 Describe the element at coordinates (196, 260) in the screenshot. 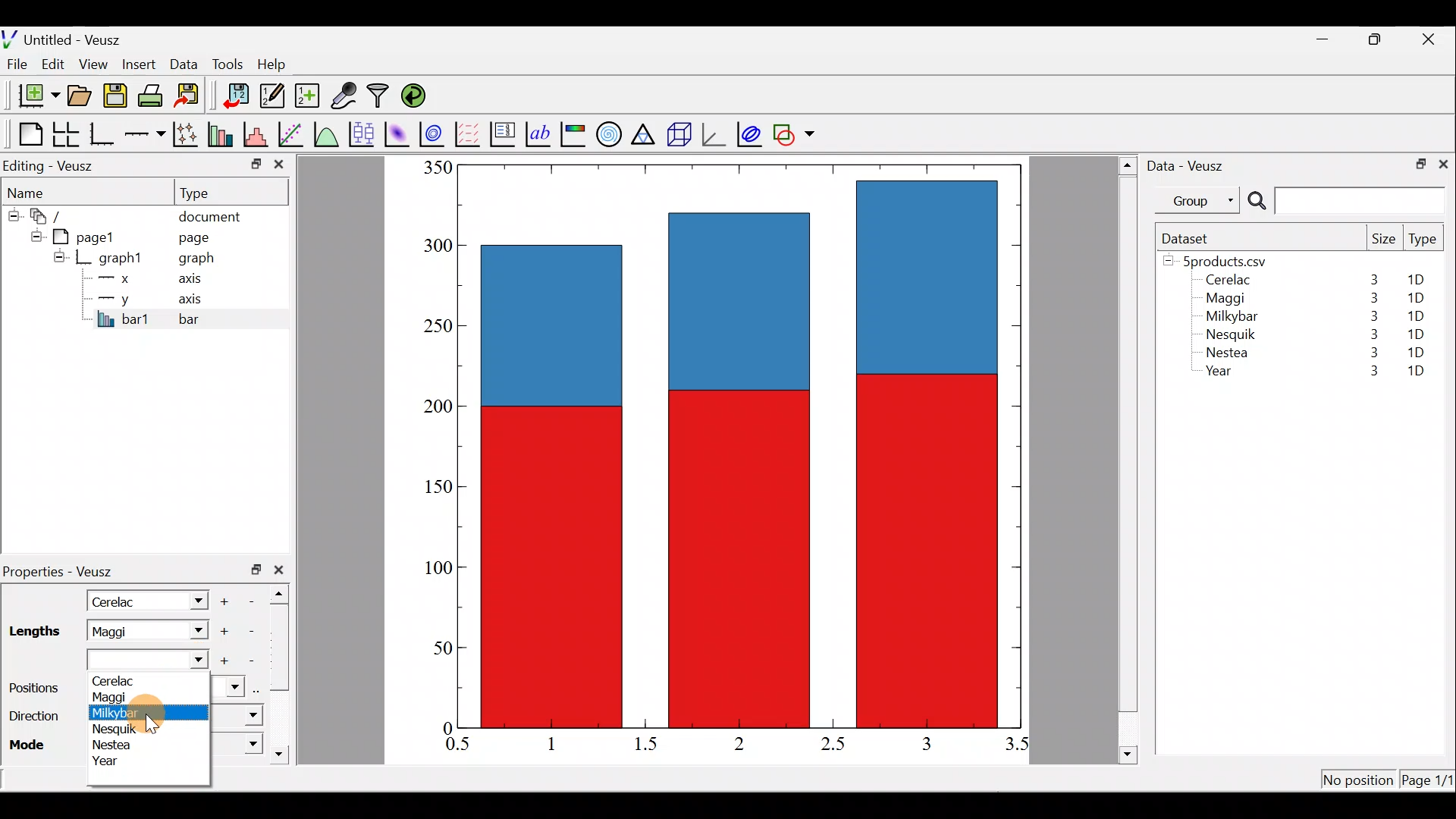

I see `graph` at that location.